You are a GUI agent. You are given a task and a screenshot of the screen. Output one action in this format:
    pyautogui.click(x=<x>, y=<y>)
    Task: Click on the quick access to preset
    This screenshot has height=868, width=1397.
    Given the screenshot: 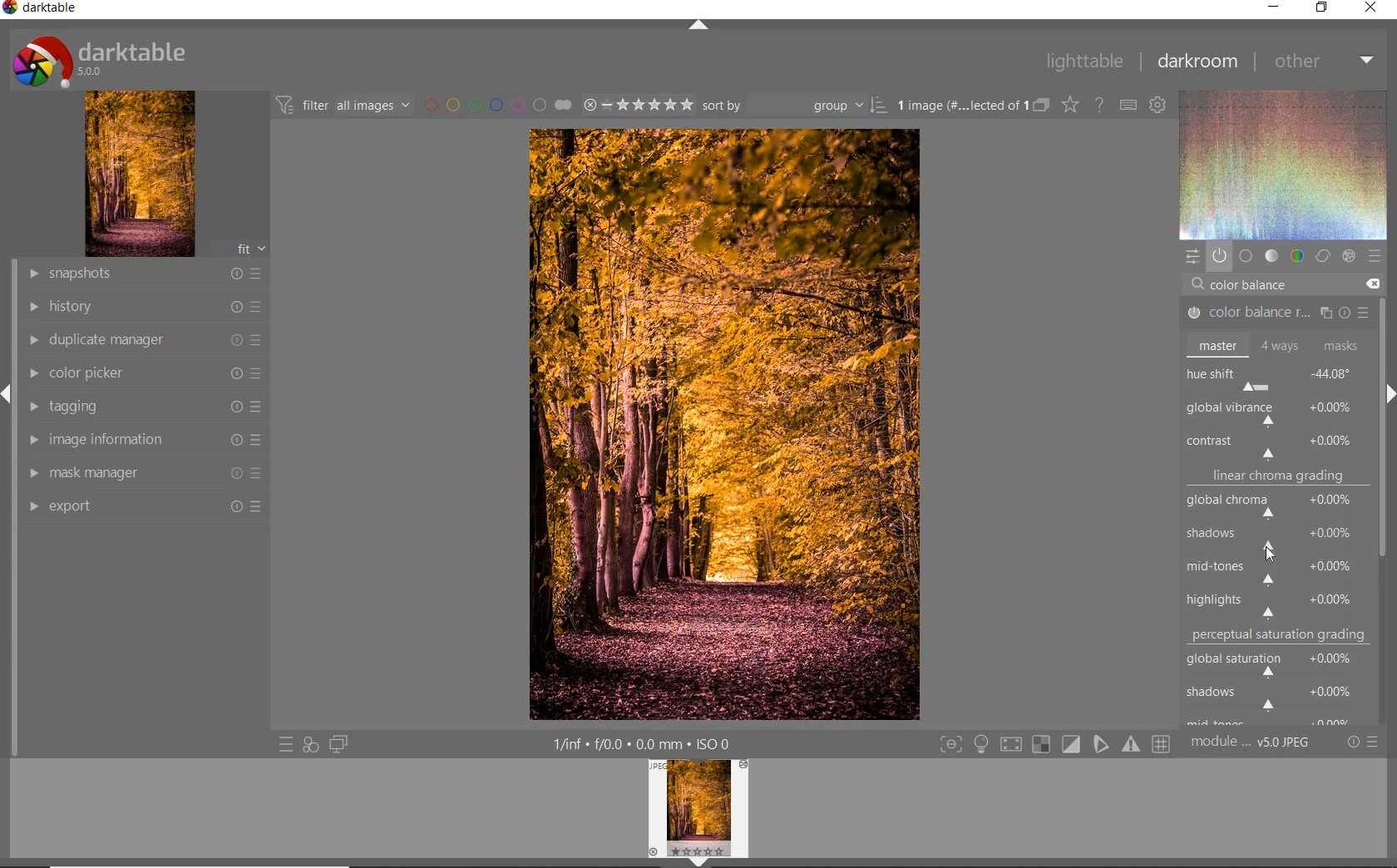 What is the action you would take?
    pyautogui.click(x=285, y=742)
    